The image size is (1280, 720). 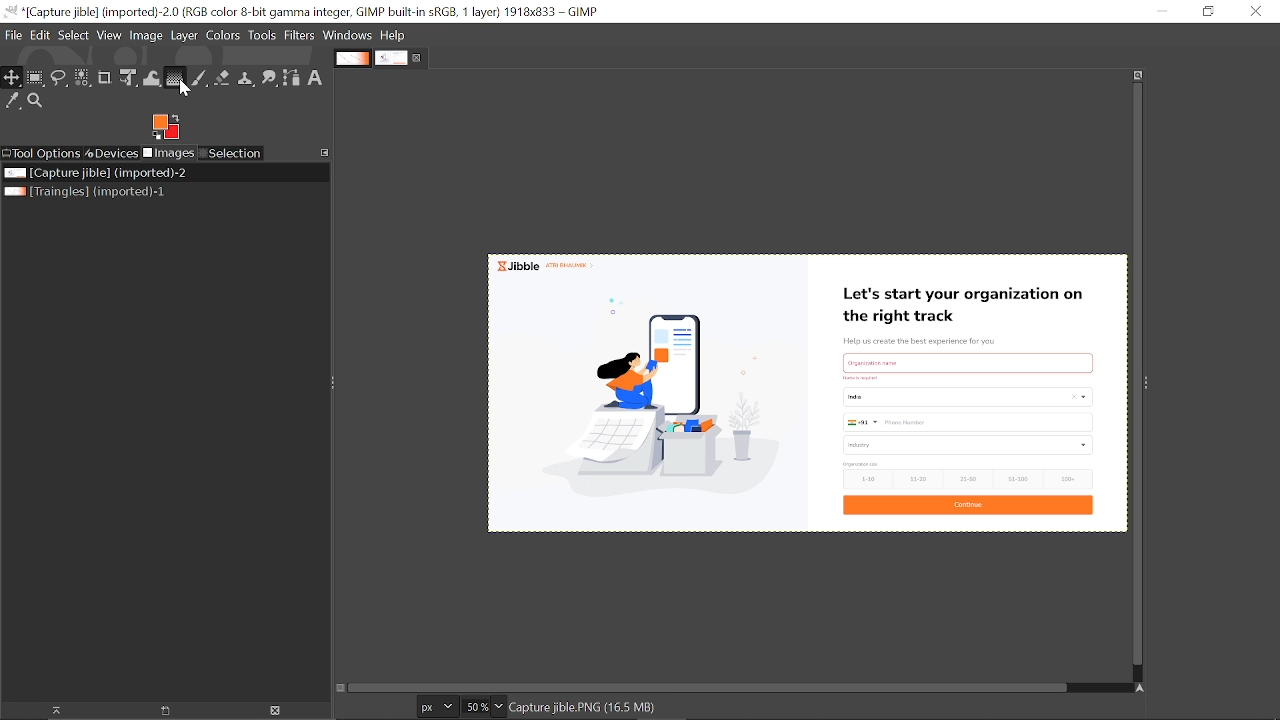 I want to click on Delete  the image, so click(x=278, y=711).